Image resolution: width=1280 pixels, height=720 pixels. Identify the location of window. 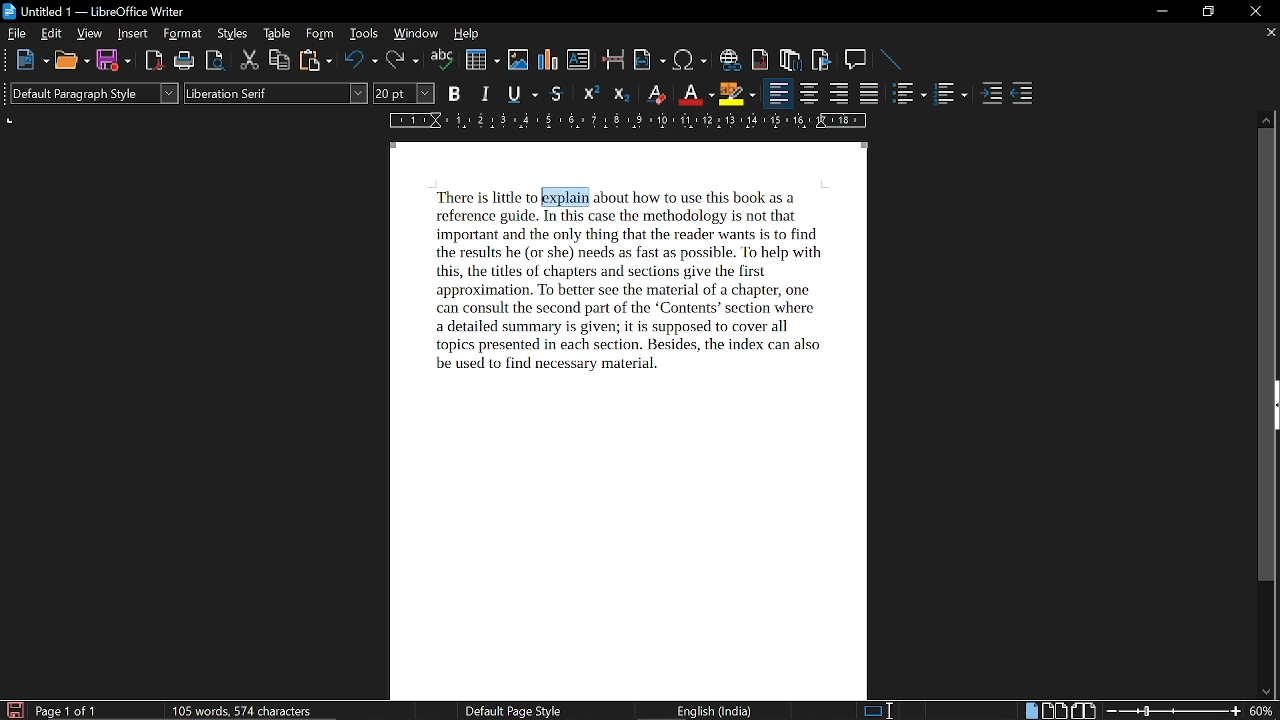
(416, 35).